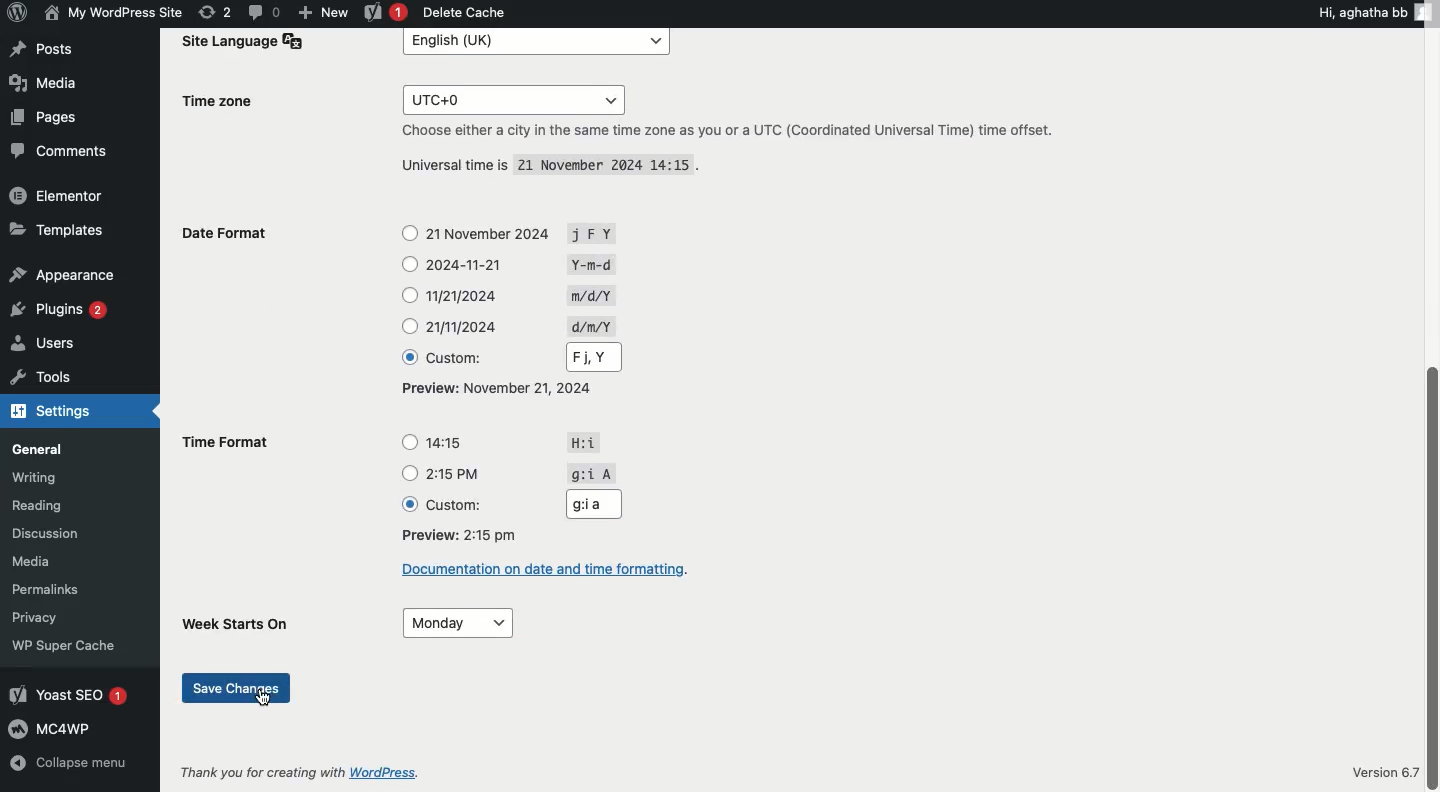 The height and width of the screenshot is (792, 1440). Describe the element at coordinates (111, 12) in the screenshot. I see `My wordpress Site` at that location.